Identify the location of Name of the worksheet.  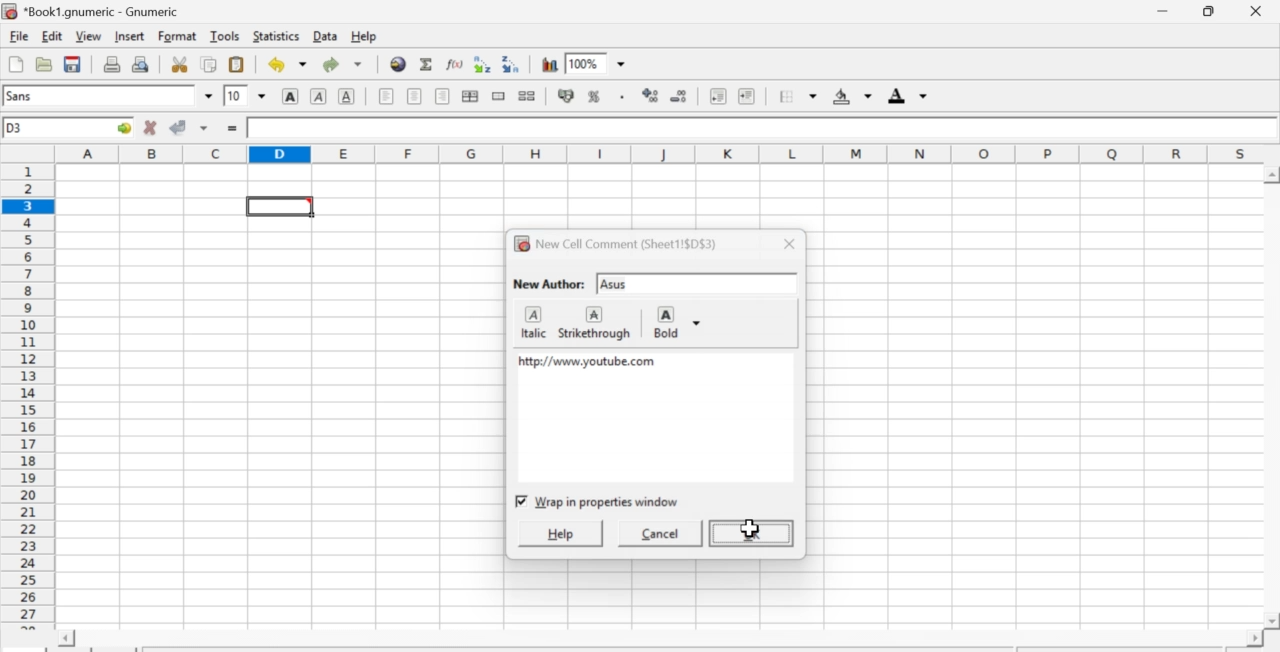
(105, 11).